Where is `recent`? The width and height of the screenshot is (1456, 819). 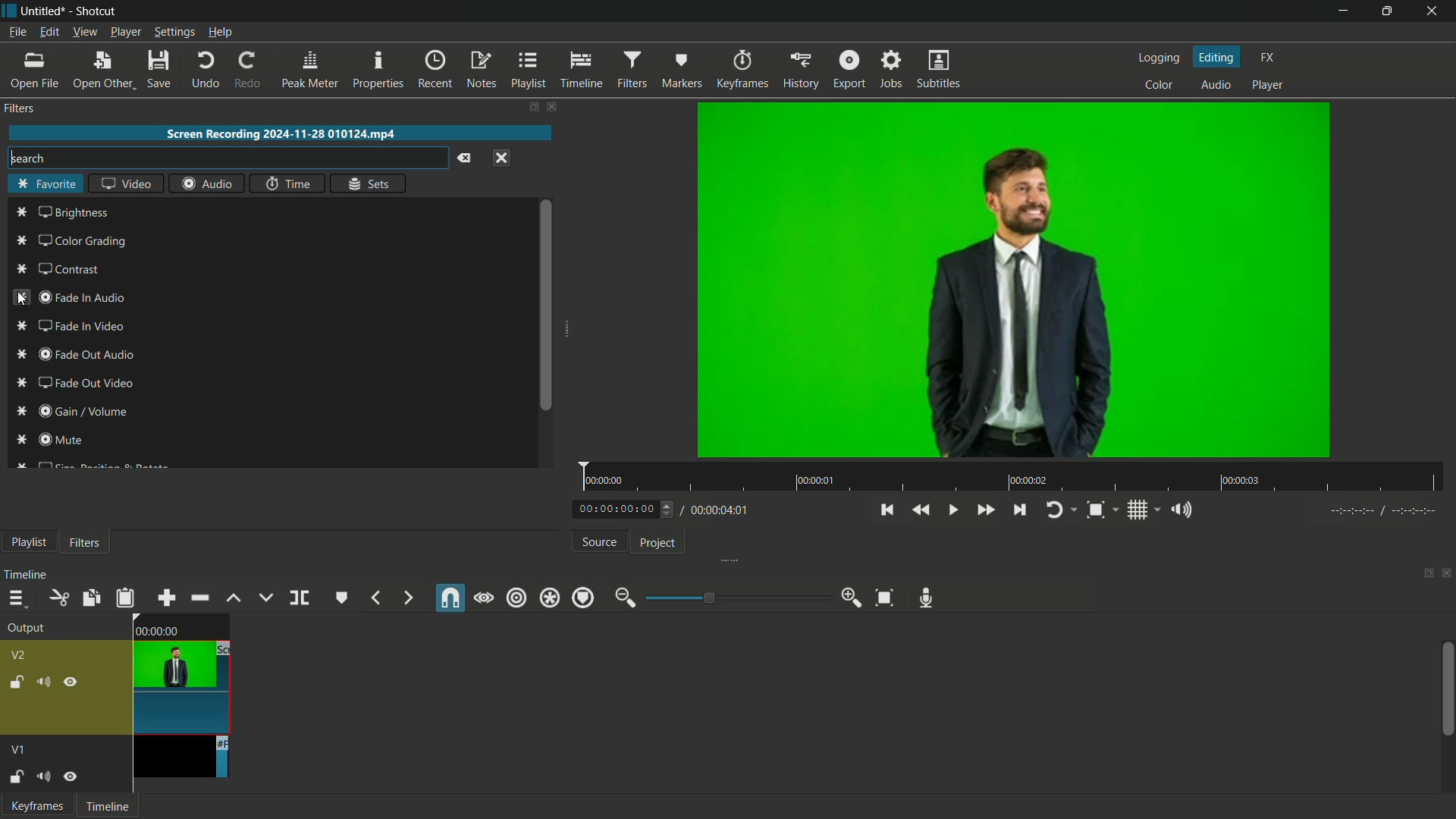
recent is located at coordinates (435, 71).